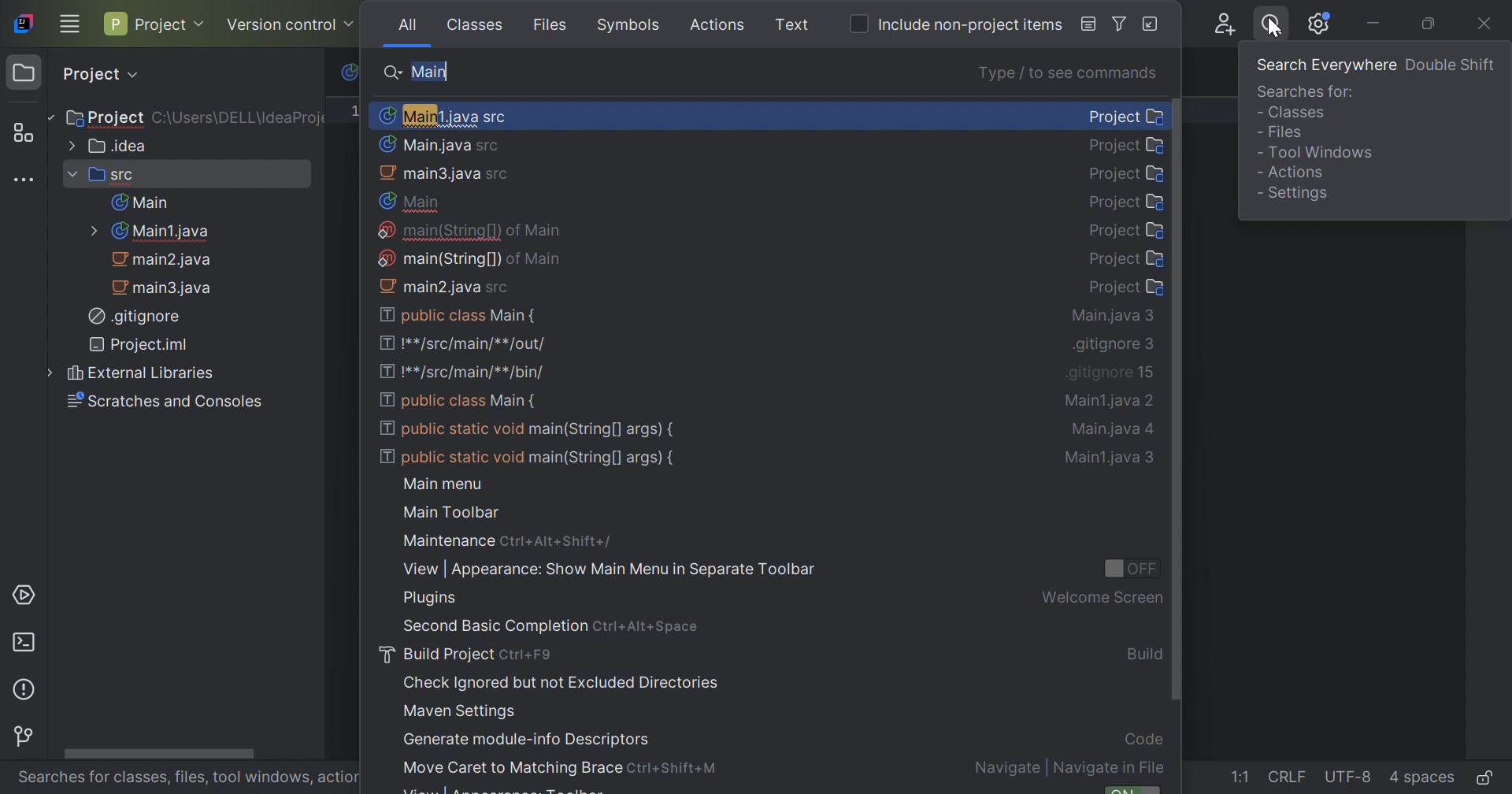 Image resolution: width=1512 pixels, height=794 pixels. What do you see at coordinates (430, 600) in the screenshot?
I see `Plugins` at bounding box center [430, 600].